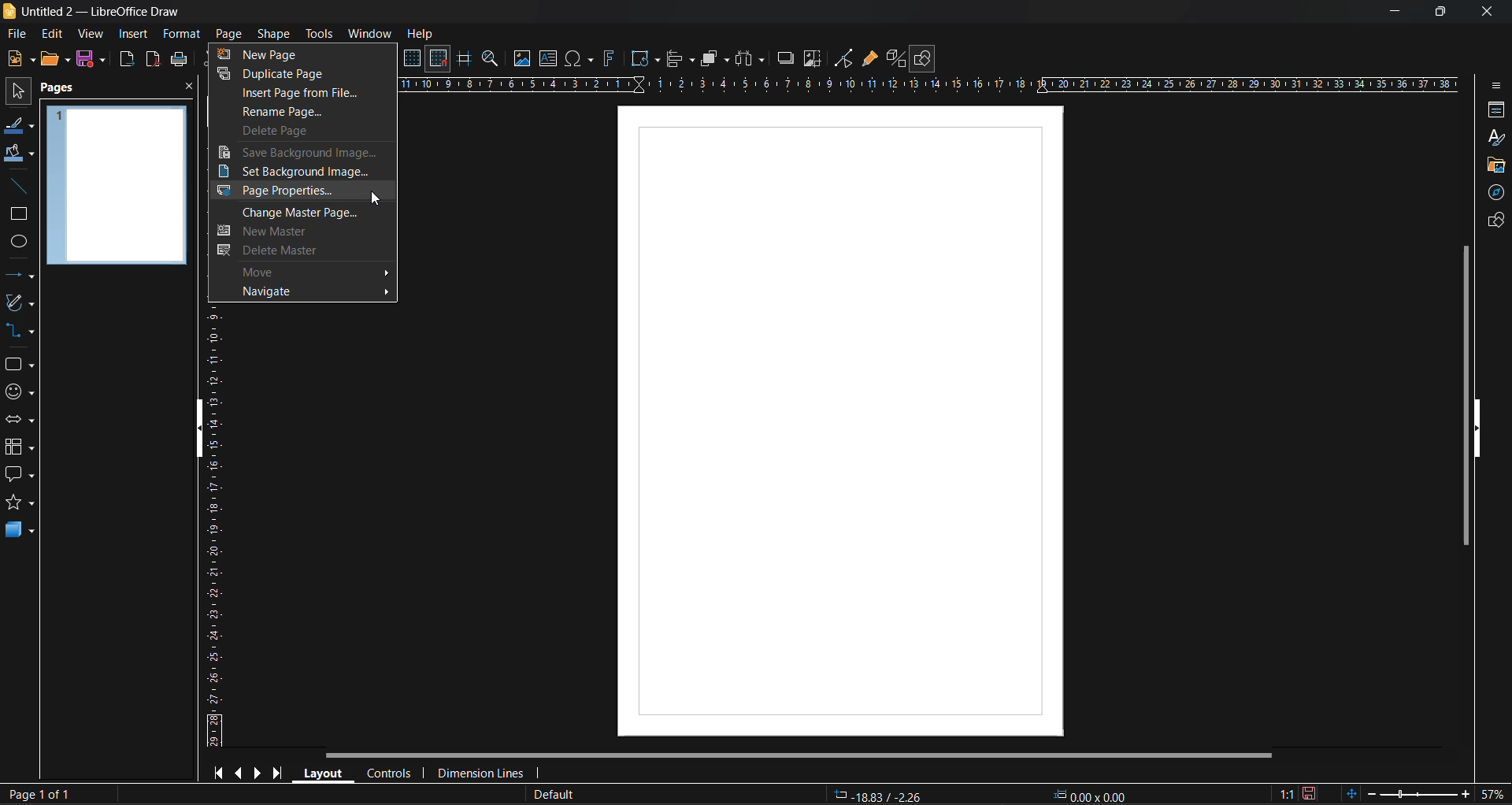 This screenshot has height=805, width=1512. Describe the element at coordinates (1460, 796) in the screenshot. I see `zoom in ` at that location.